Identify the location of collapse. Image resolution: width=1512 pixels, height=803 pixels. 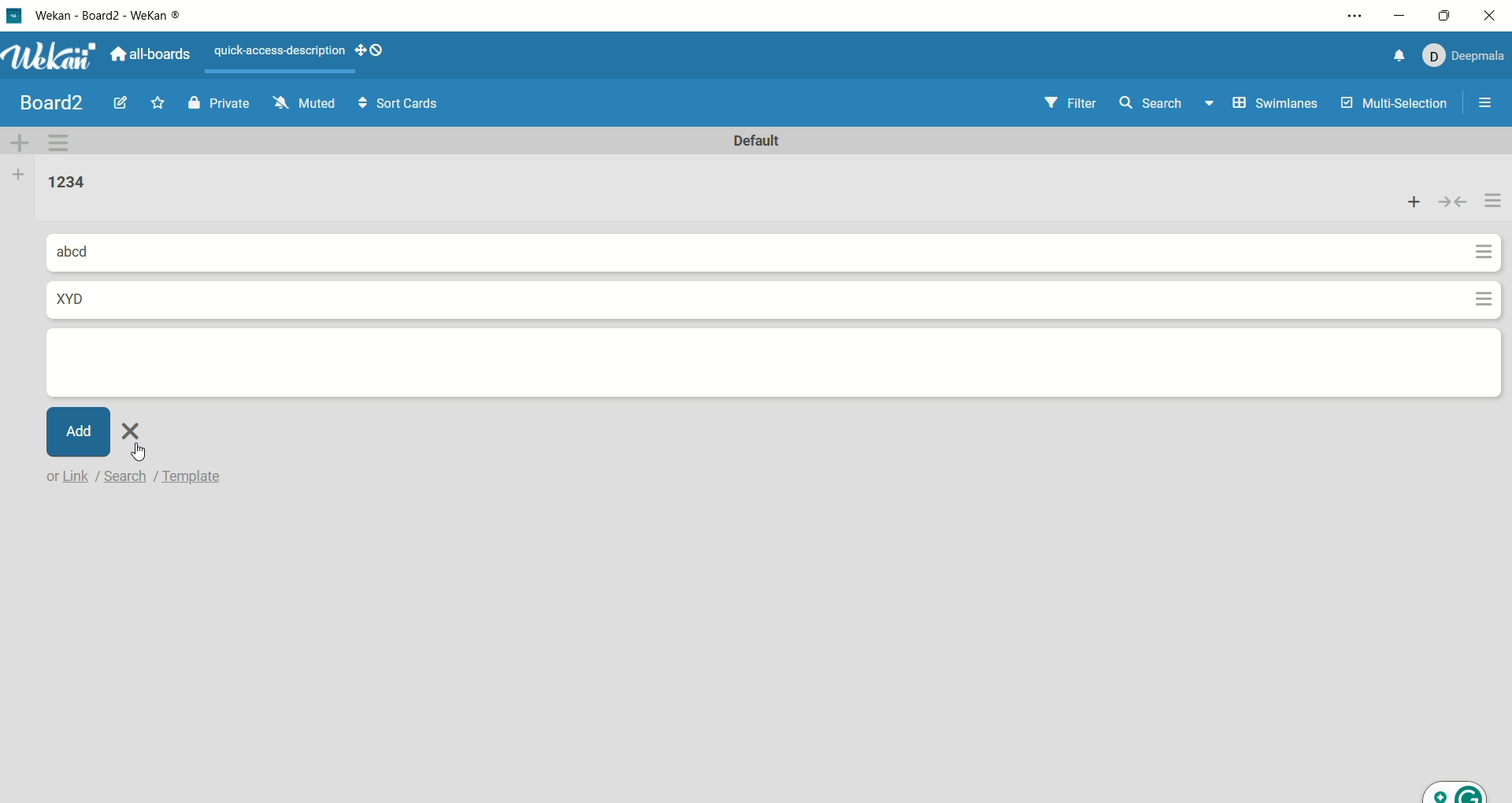
(1455, 202).